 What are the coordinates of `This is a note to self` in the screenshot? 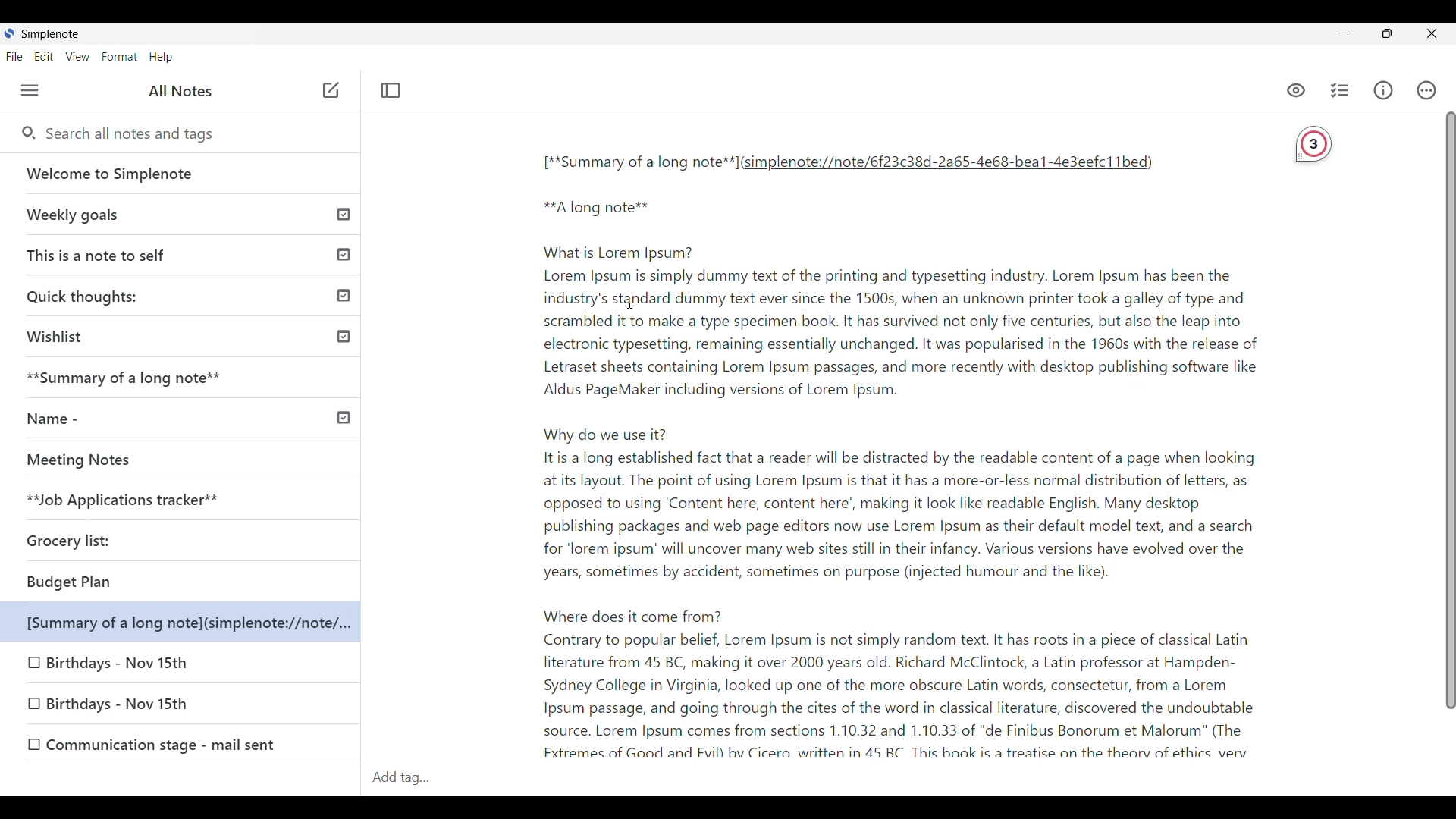 It's located at (184, 252).